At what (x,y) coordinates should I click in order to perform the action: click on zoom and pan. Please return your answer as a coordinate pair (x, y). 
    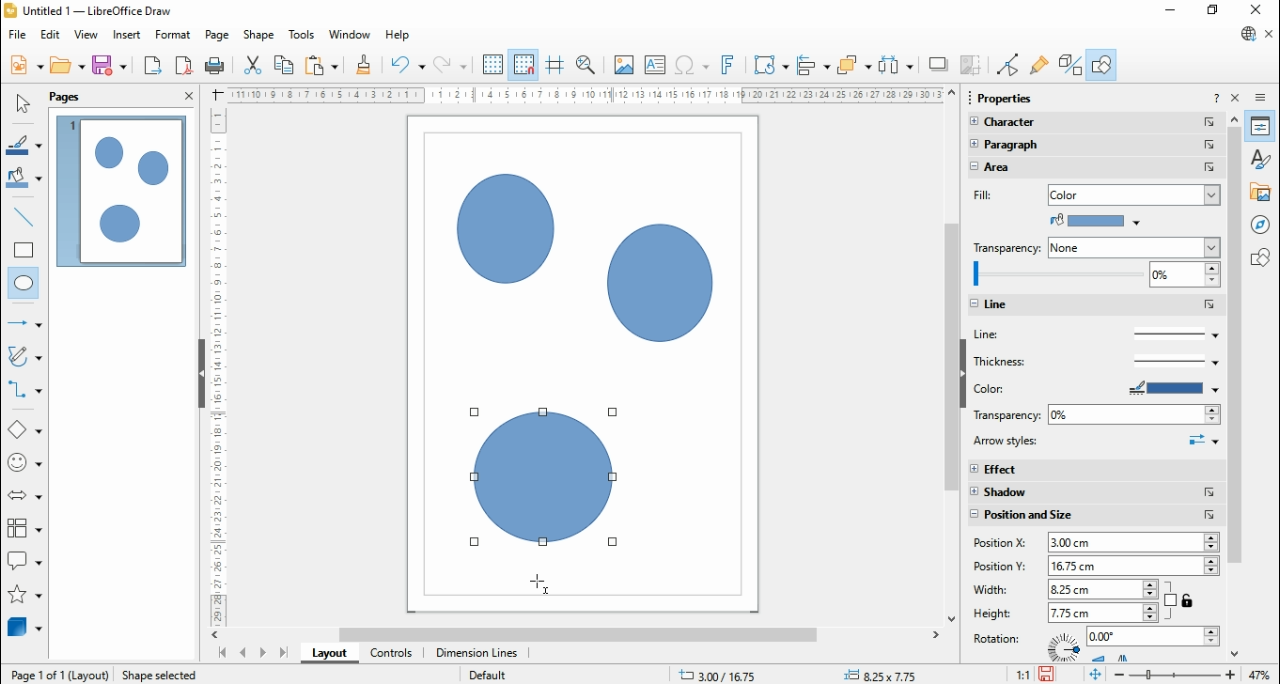
    Looking at the image, I should click on (586, 66).